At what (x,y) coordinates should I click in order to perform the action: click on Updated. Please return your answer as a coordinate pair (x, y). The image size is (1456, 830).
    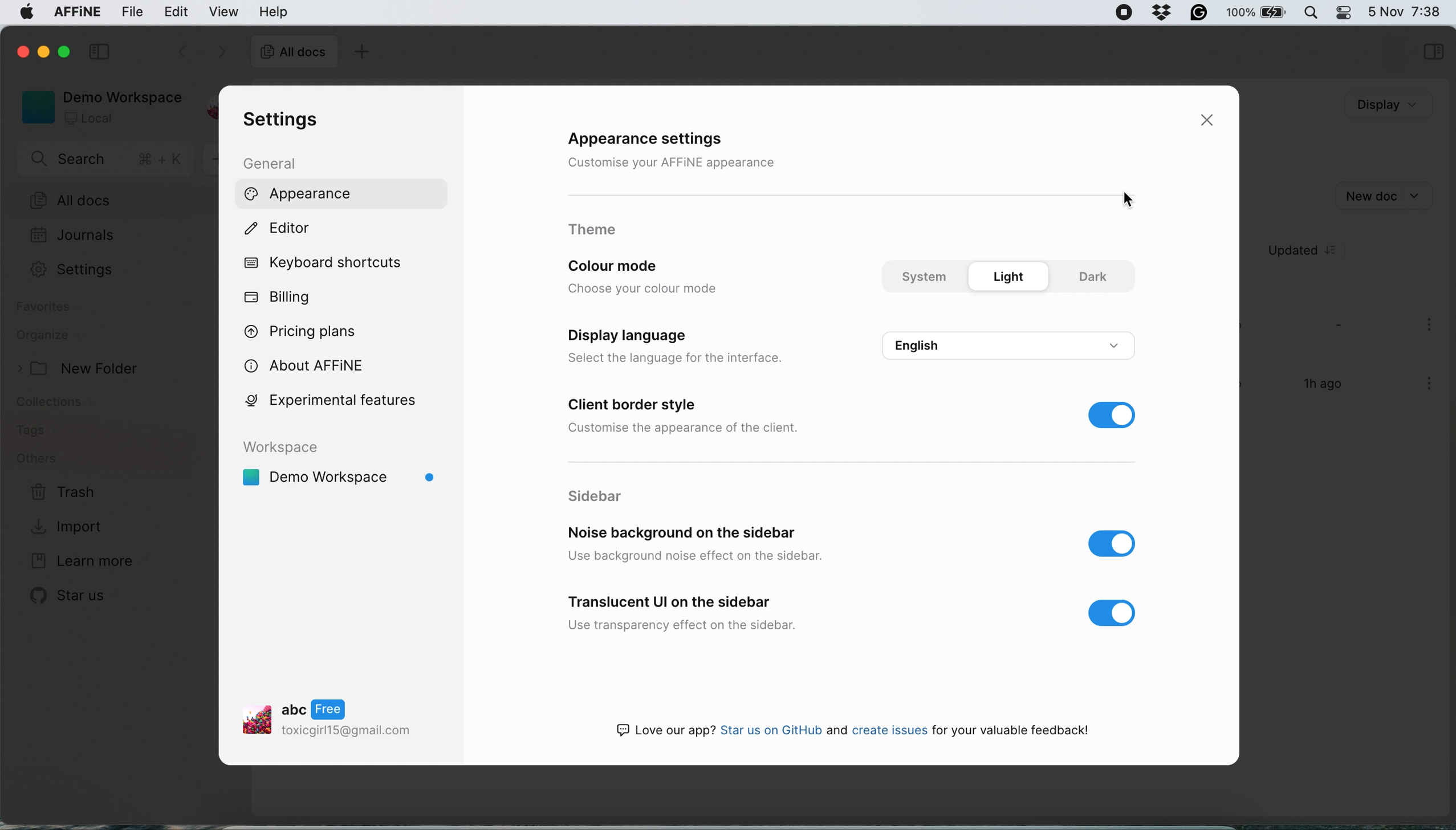
    Looking at the image, I should click on (1309, 251).